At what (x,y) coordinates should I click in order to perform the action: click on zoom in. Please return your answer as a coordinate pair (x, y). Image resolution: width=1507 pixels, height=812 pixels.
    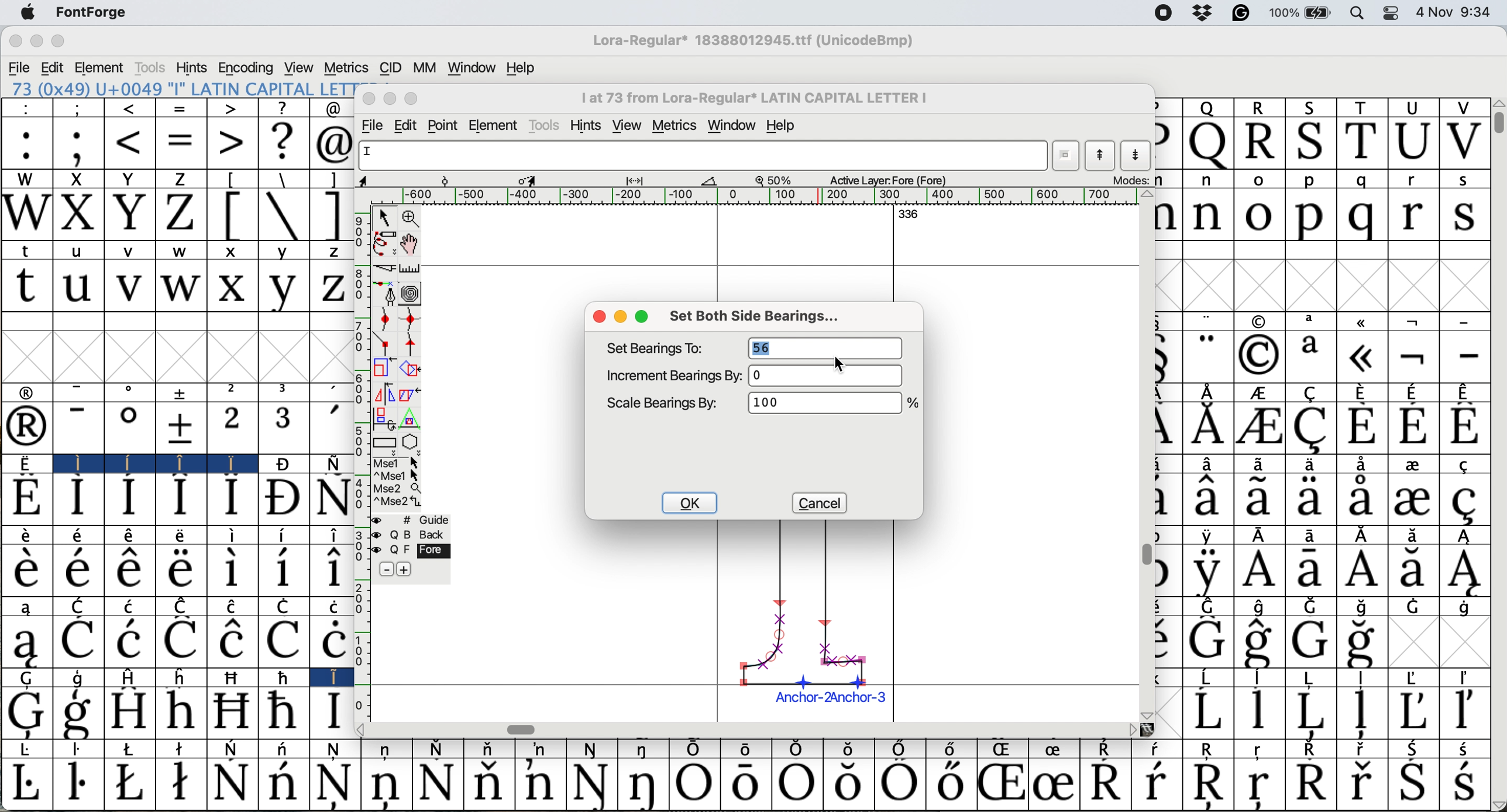
    Looking at the image, I should click on (411, 218).